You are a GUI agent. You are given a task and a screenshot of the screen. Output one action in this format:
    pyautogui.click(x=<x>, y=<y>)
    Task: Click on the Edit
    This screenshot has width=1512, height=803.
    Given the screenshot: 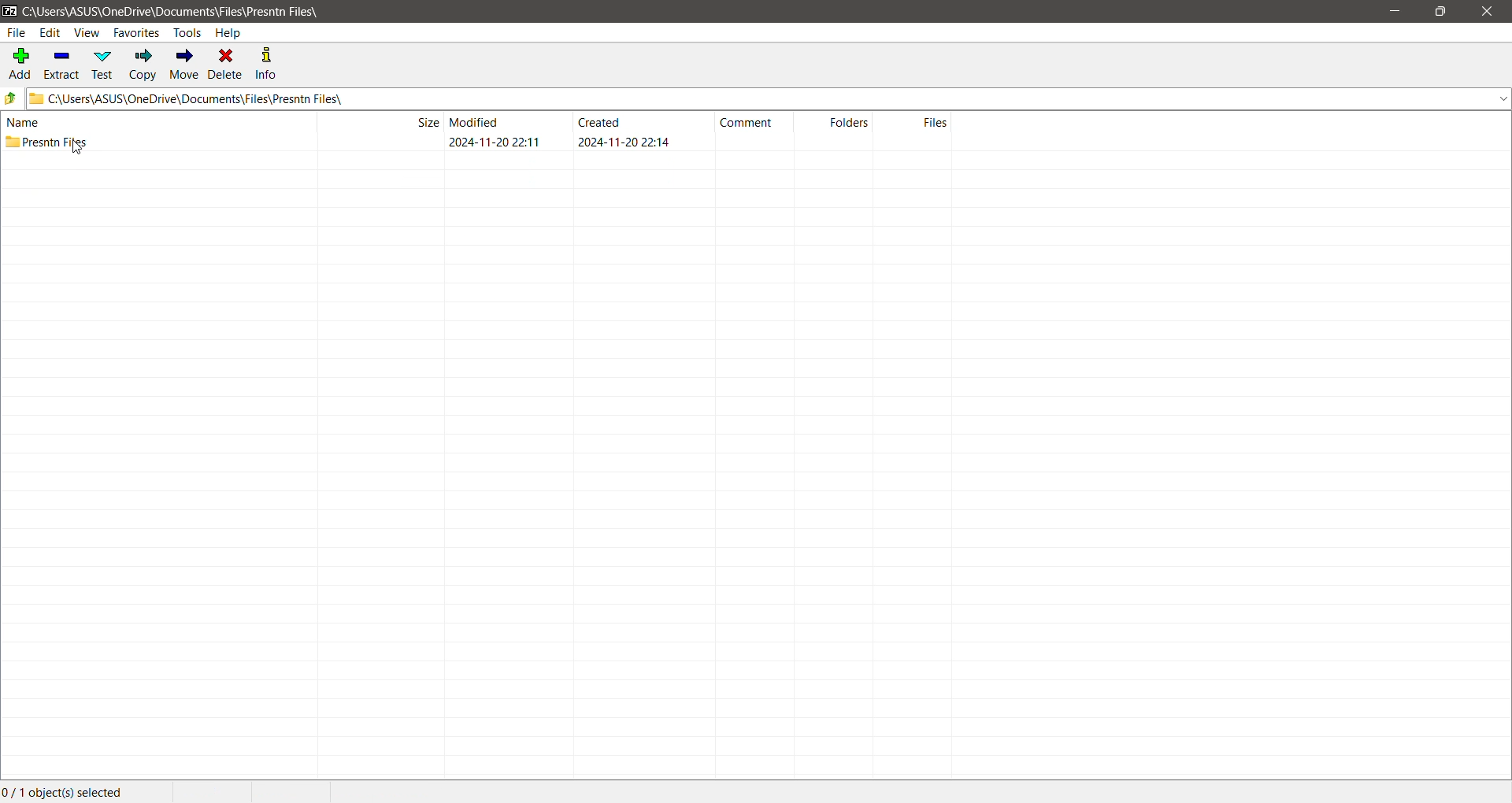 What is the action you would take?
    pyautogui.click(x=50, y=32)
    